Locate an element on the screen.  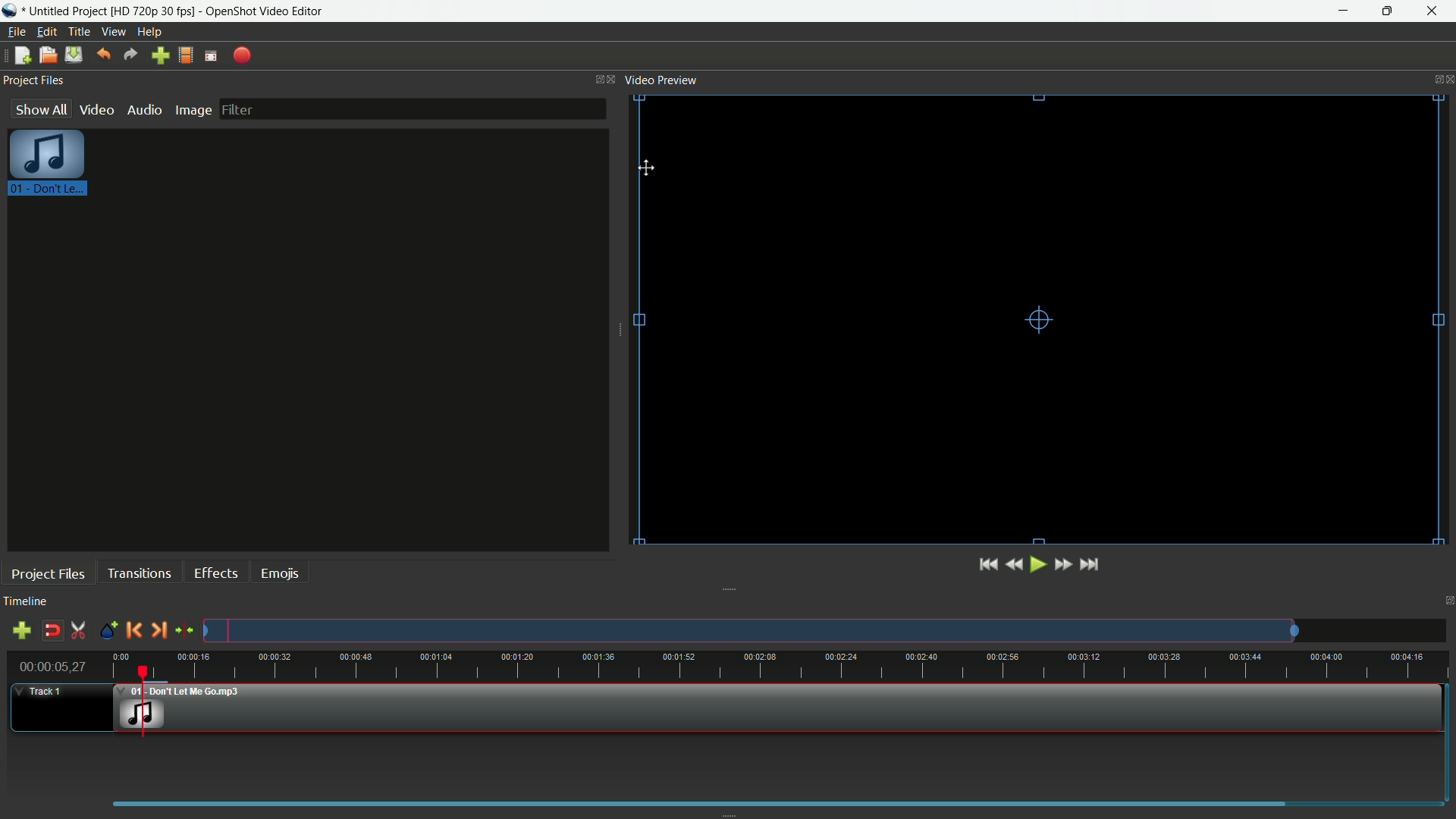
redo is located at coordinates (130, 55).